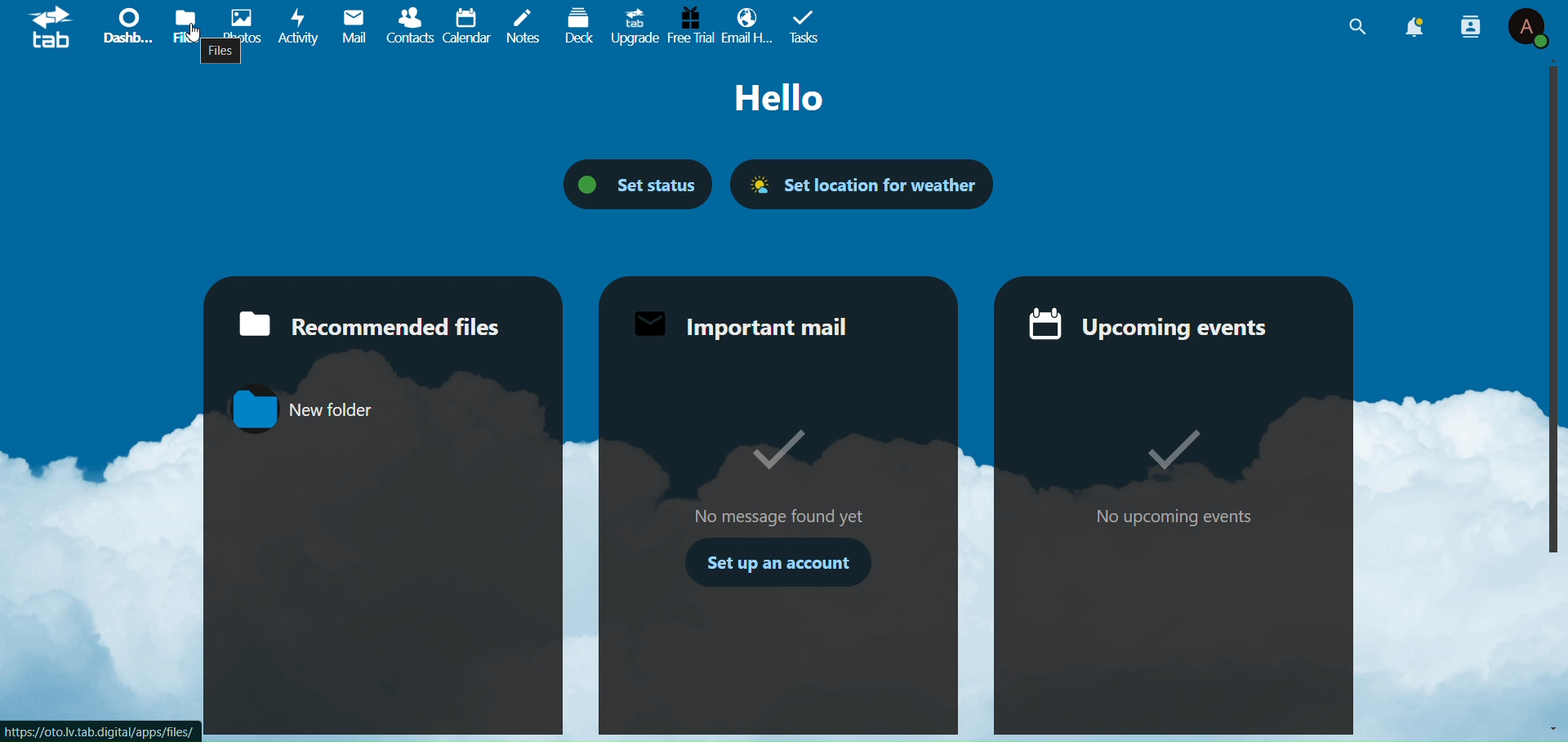 The width and height of the screenshot is (1568, 742). What do you see at coordinates (1471, 25) in the screenshot?
I see `Contacts` at bounding box center [1471, 25].